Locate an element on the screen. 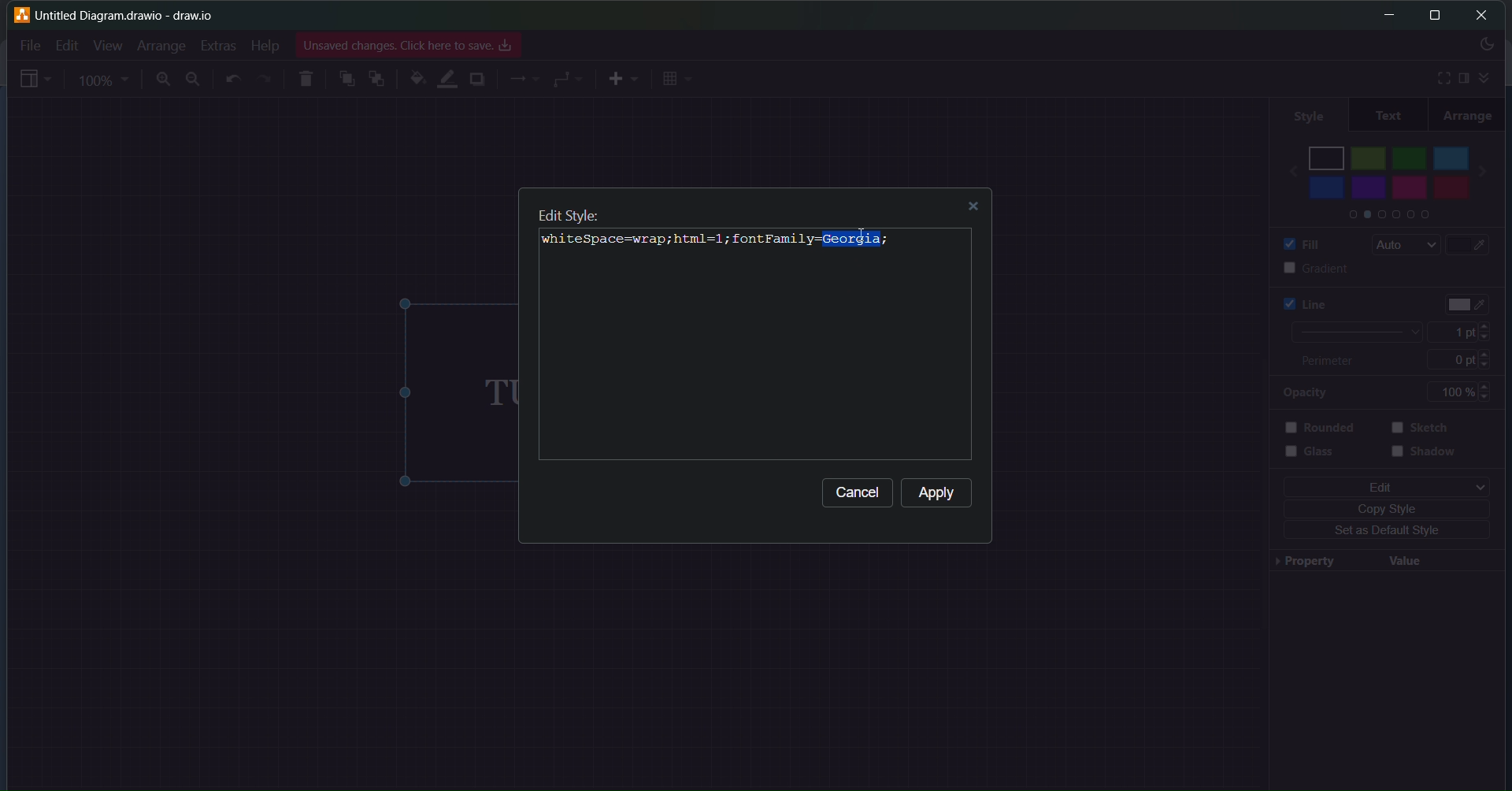 The width and height of the screenshot is (1512, 791). opacity is located at coordinates (1304, 393).